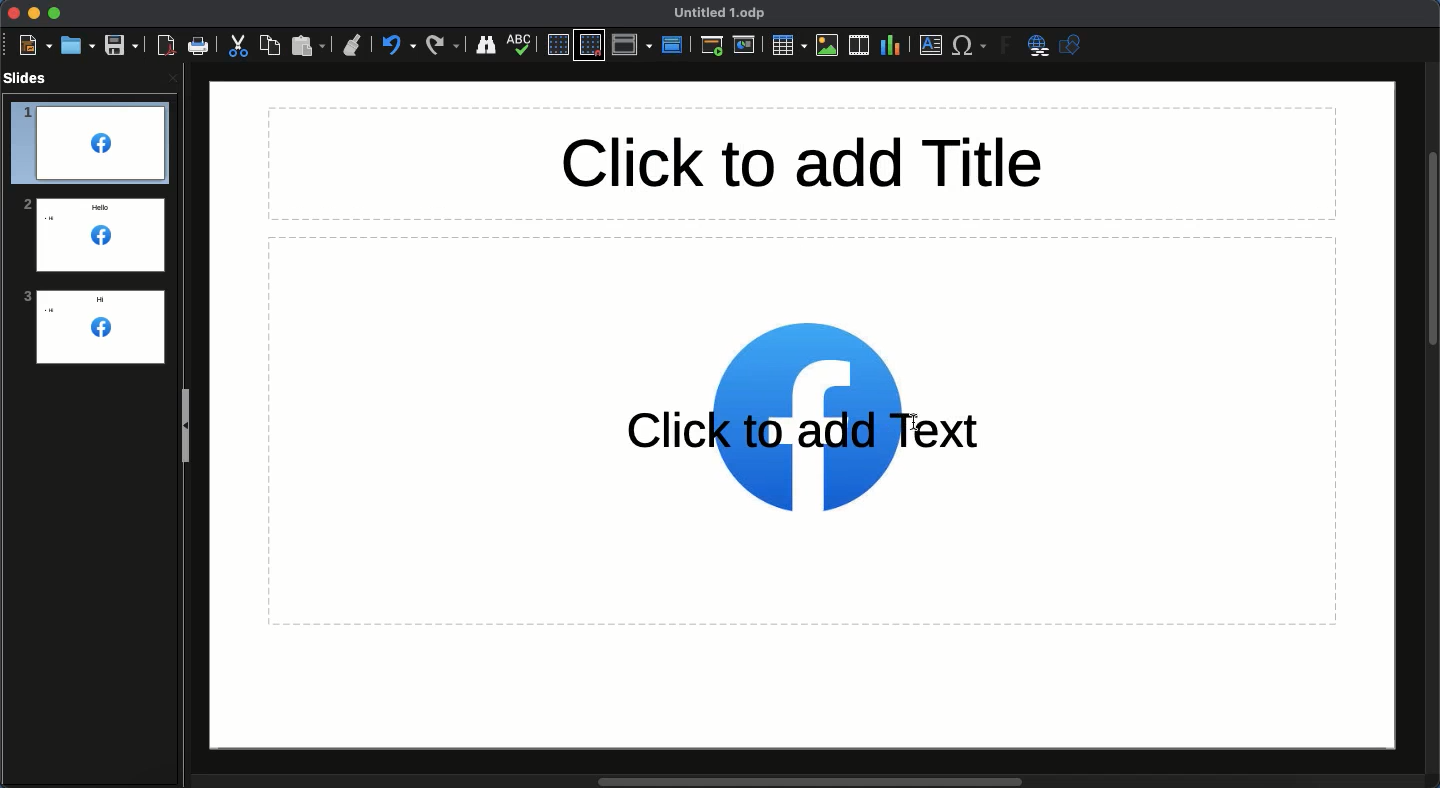 The width and height of the screenshot is (1440, 788). I want to click on Title, so click(807, 163).